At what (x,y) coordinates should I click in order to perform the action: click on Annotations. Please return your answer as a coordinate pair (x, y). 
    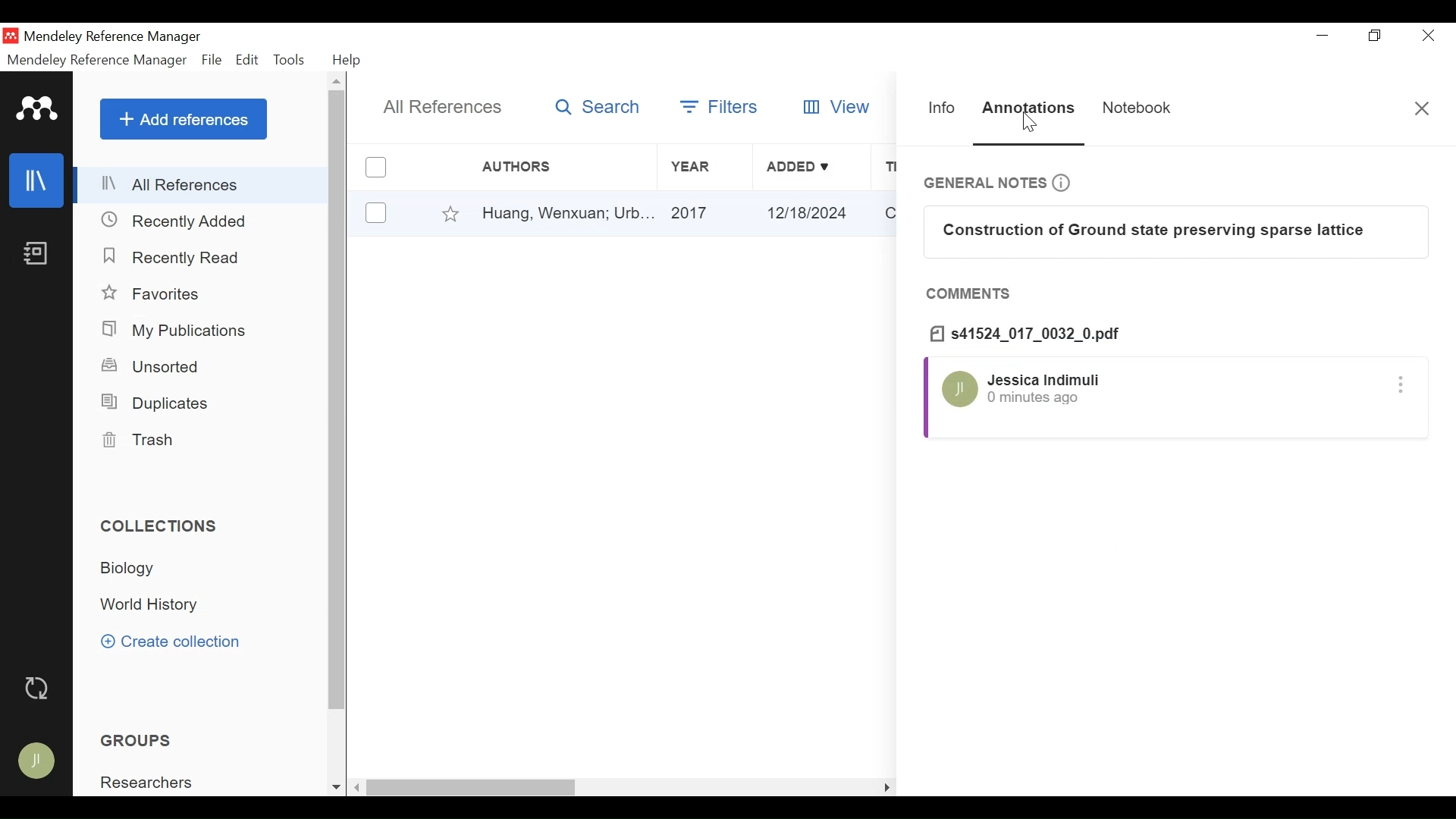
    Looking at the image, I should click on (1027, 109).